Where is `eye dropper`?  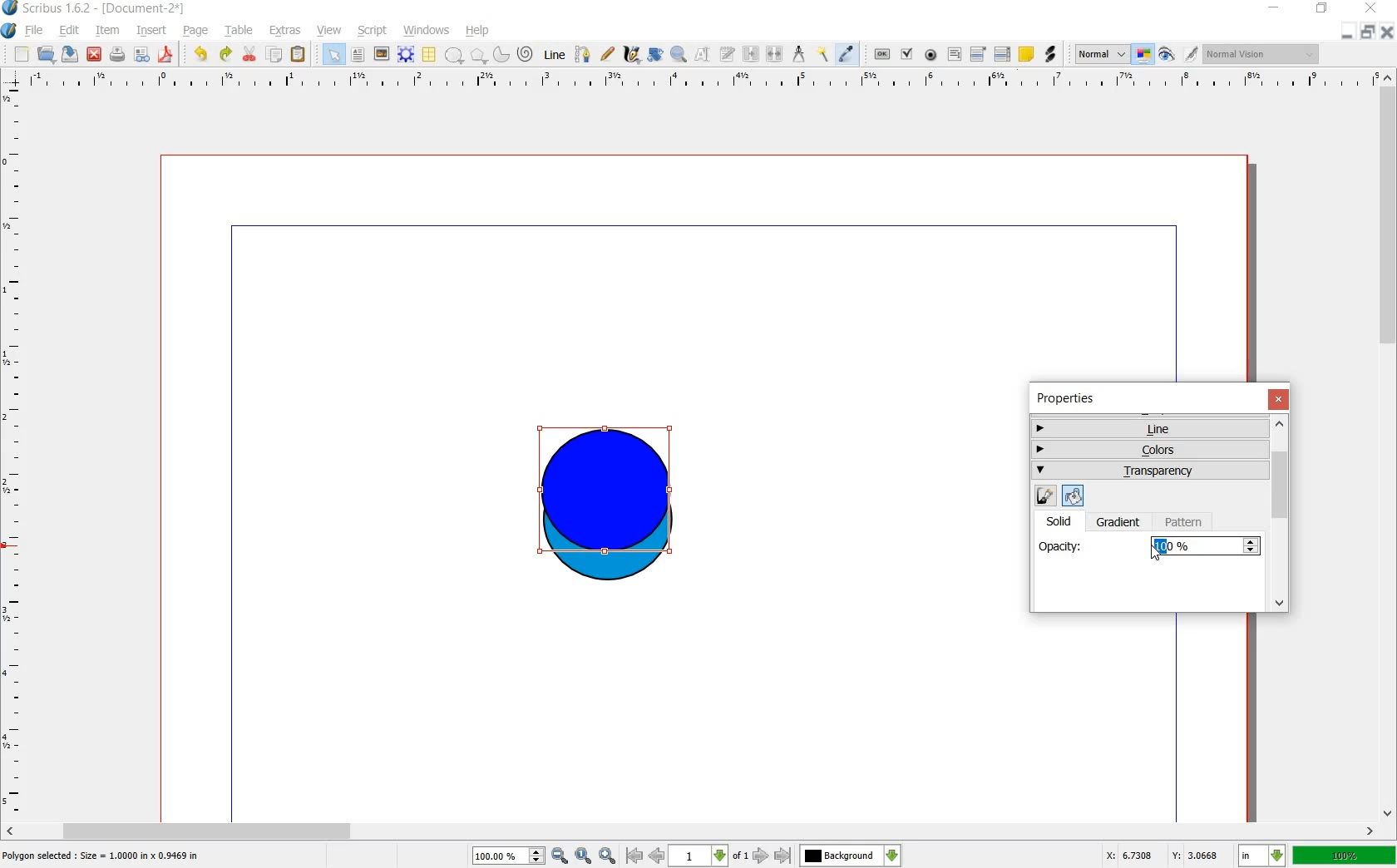 eye dropper is located at coordinates (846, 54).